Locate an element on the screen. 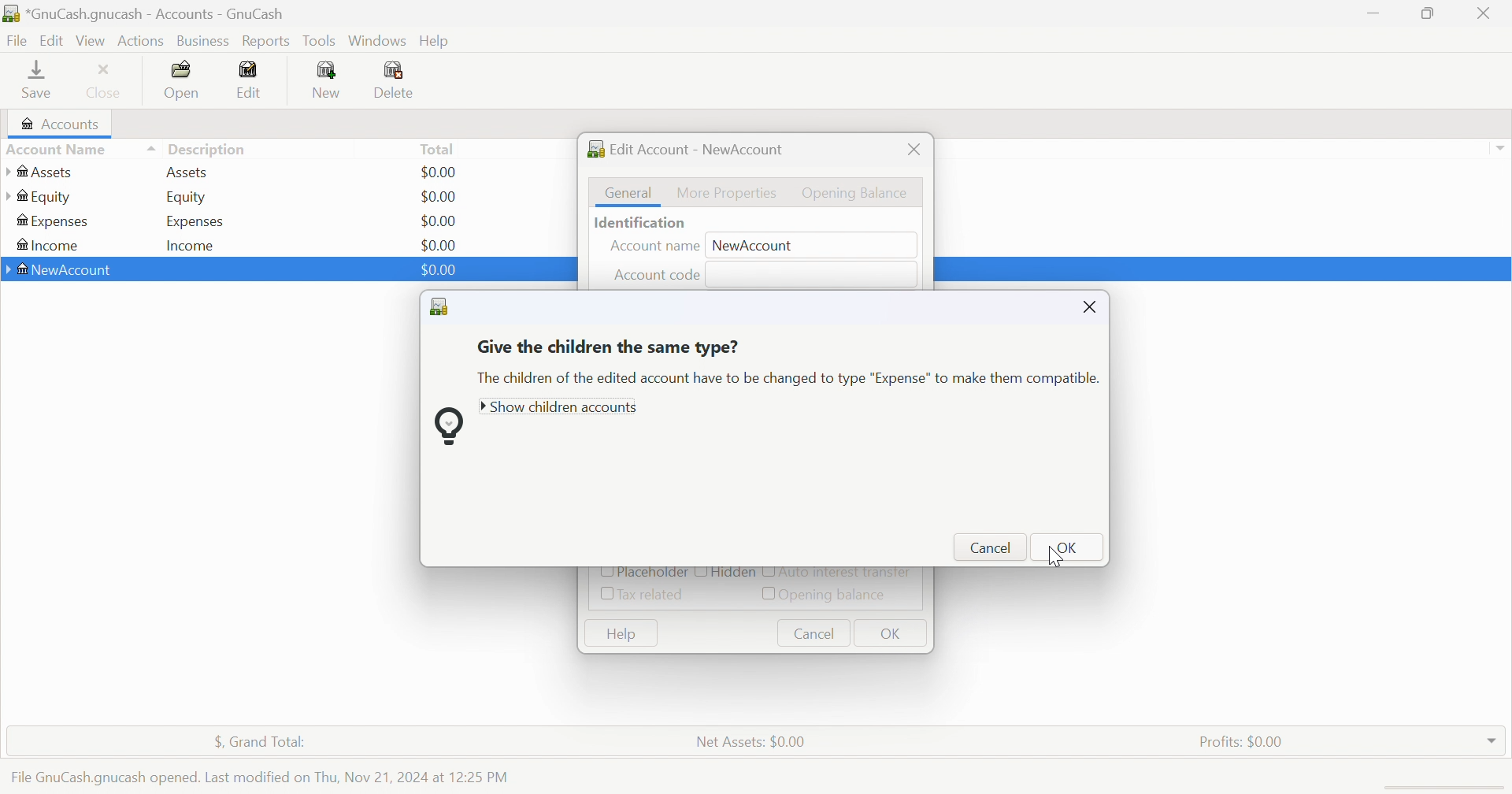 This screenshot has width=1512, height=794. The children of the edited account have to be changed to type 'Expense' to make them compatible is located at coordinates (785, 380).